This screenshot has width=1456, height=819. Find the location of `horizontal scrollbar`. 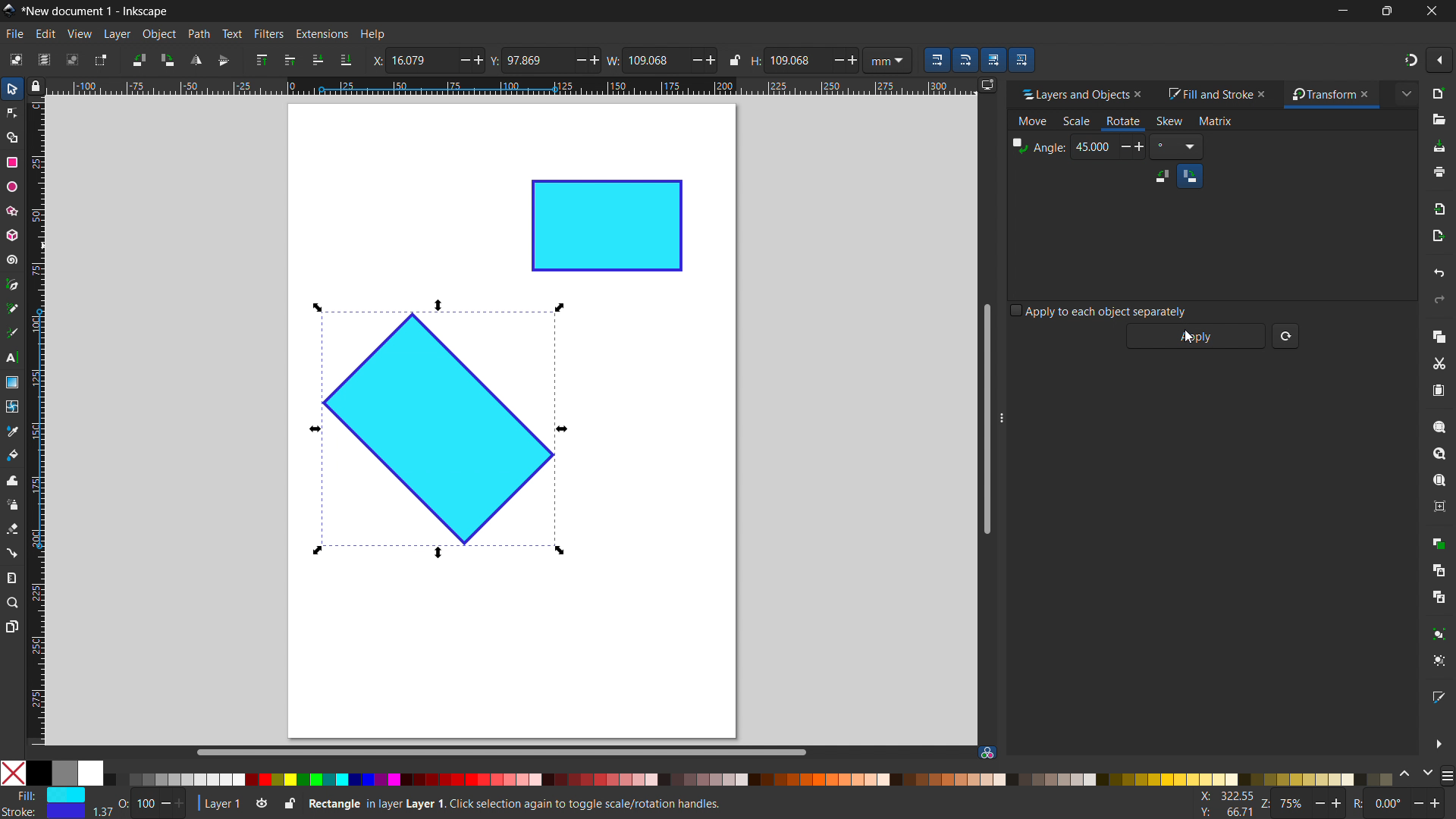

horizontal scrollbar is located at coordinates (499, 752).